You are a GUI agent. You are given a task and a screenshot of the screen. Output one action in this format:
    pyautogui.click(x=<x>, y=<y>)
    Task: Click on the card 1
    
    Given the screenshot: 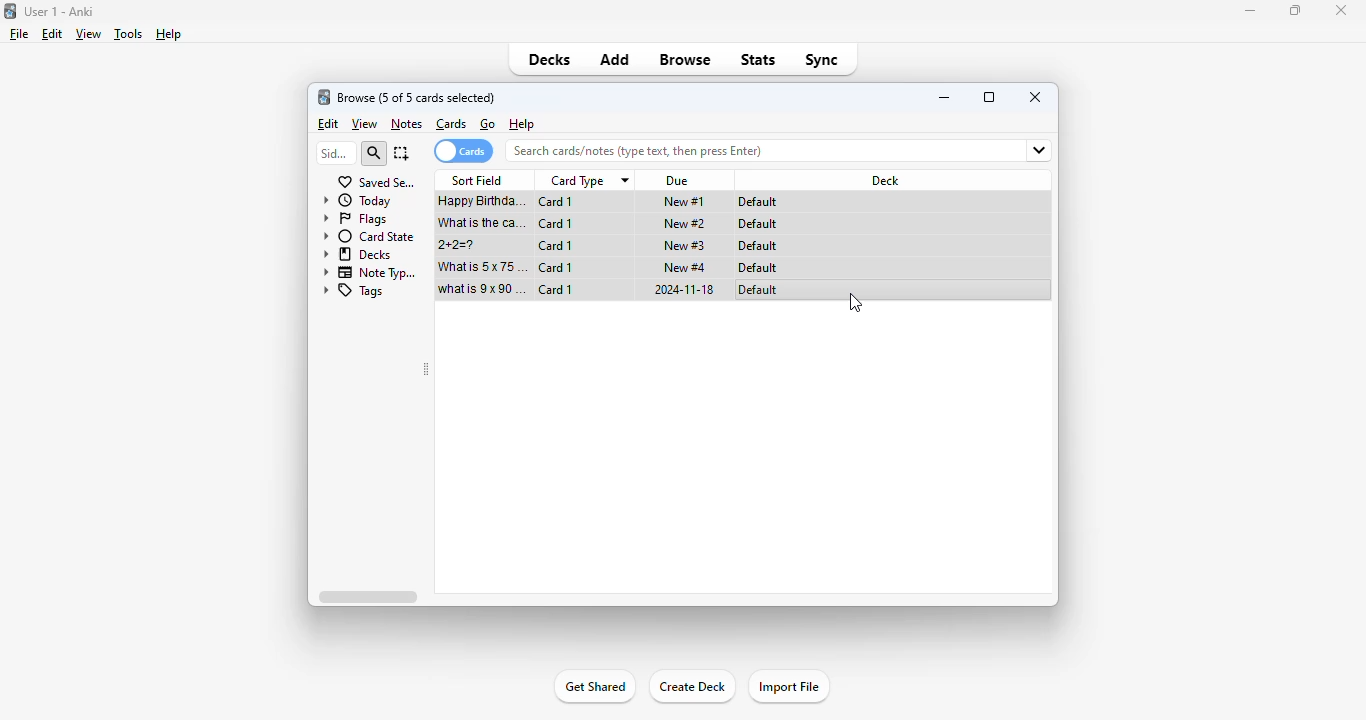 What is the action you would take?
    pyautogui.click(x=555, y=246)
    